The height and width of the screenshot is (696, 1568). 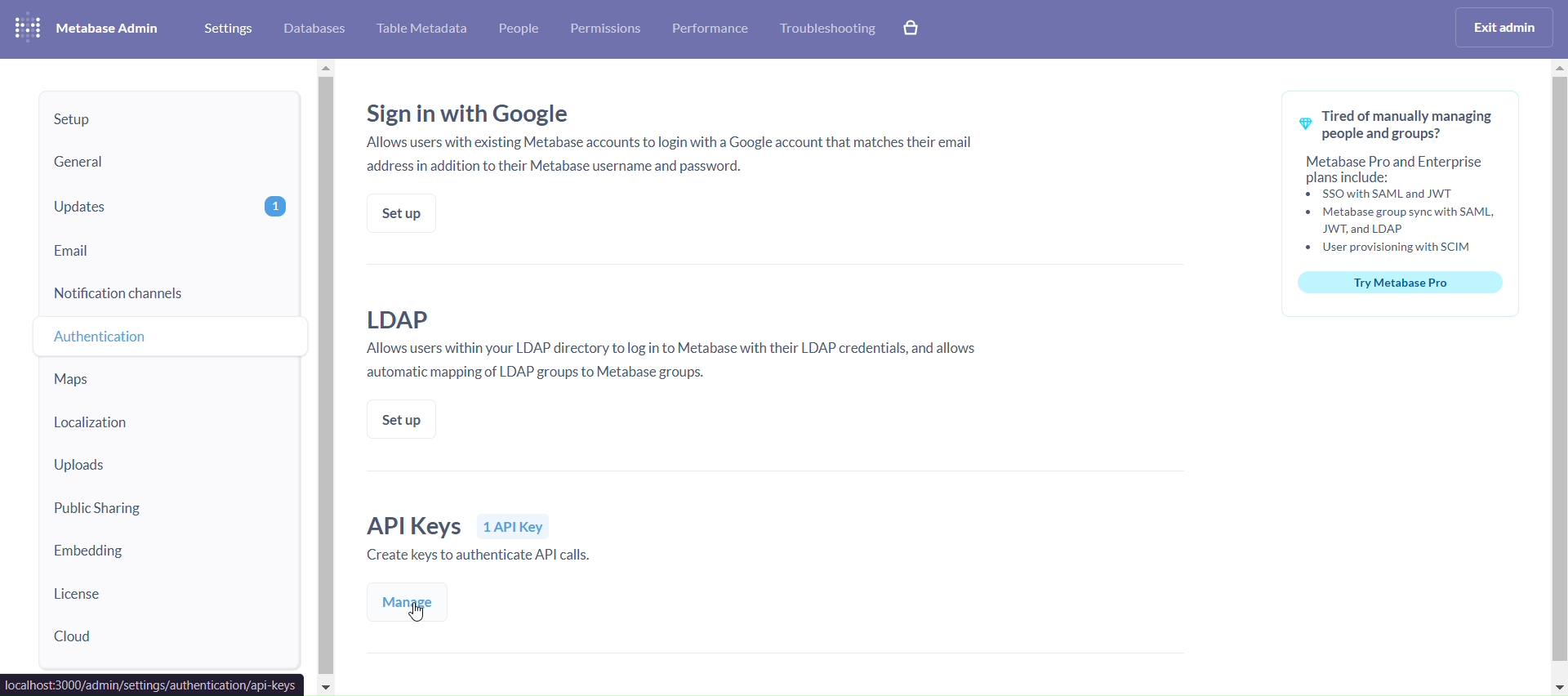 I want to click on notification channels, so click(x=169, y=292).